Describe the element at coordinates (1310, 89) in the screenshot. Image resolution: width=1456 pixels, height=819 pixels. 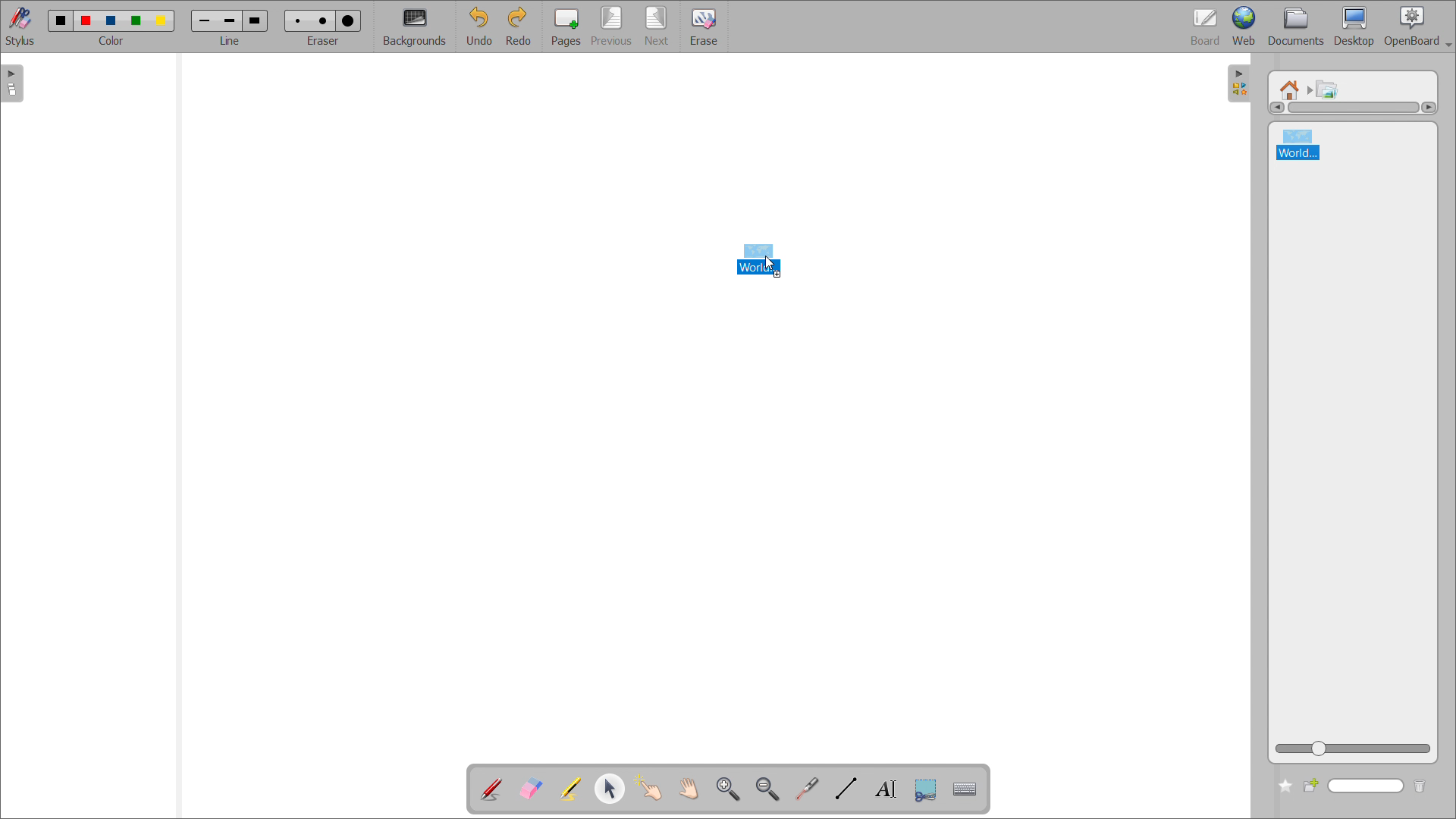
I see `navigated to another folder` at that location.